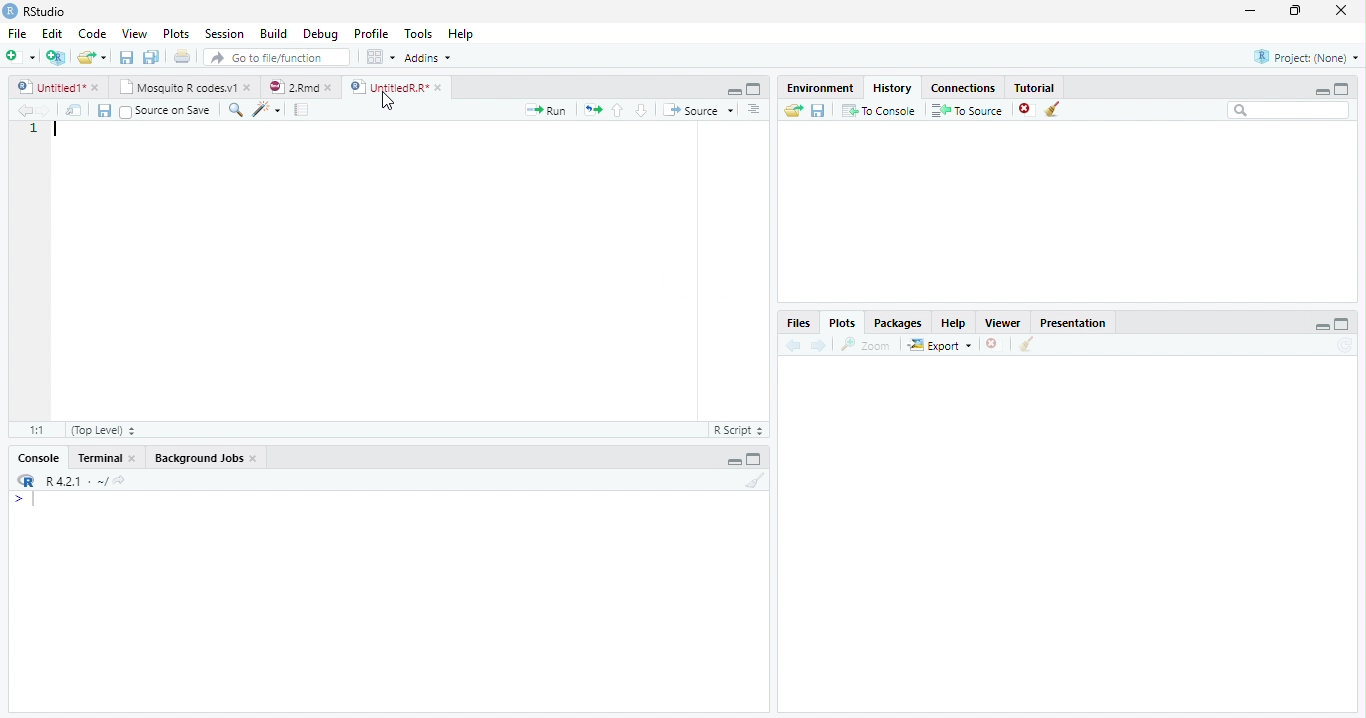  I want to click on Plots, so click(177, 33).